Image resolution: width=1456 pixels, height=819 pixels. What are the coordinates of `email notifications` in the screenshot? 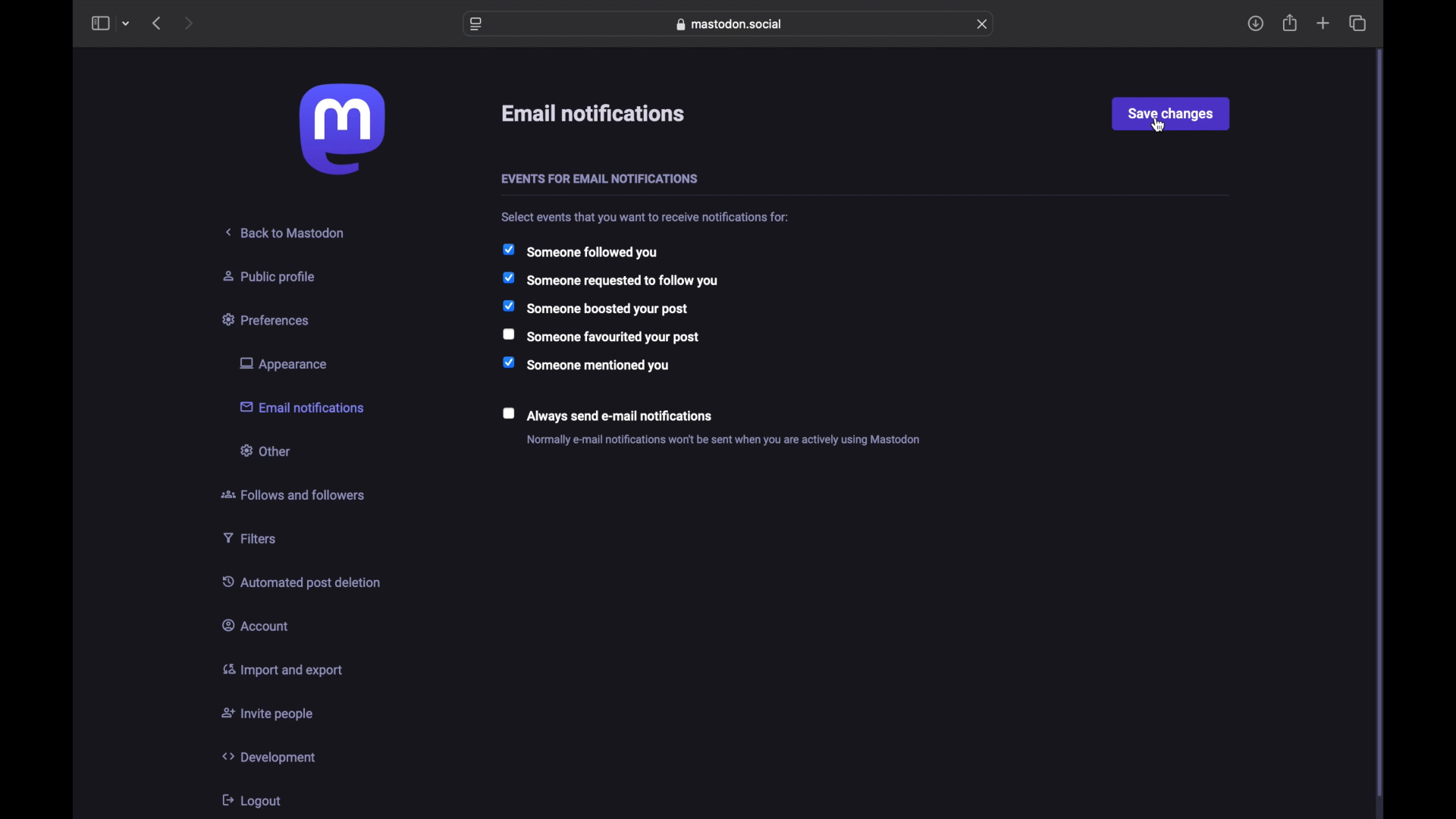 It's located at (595, 114).